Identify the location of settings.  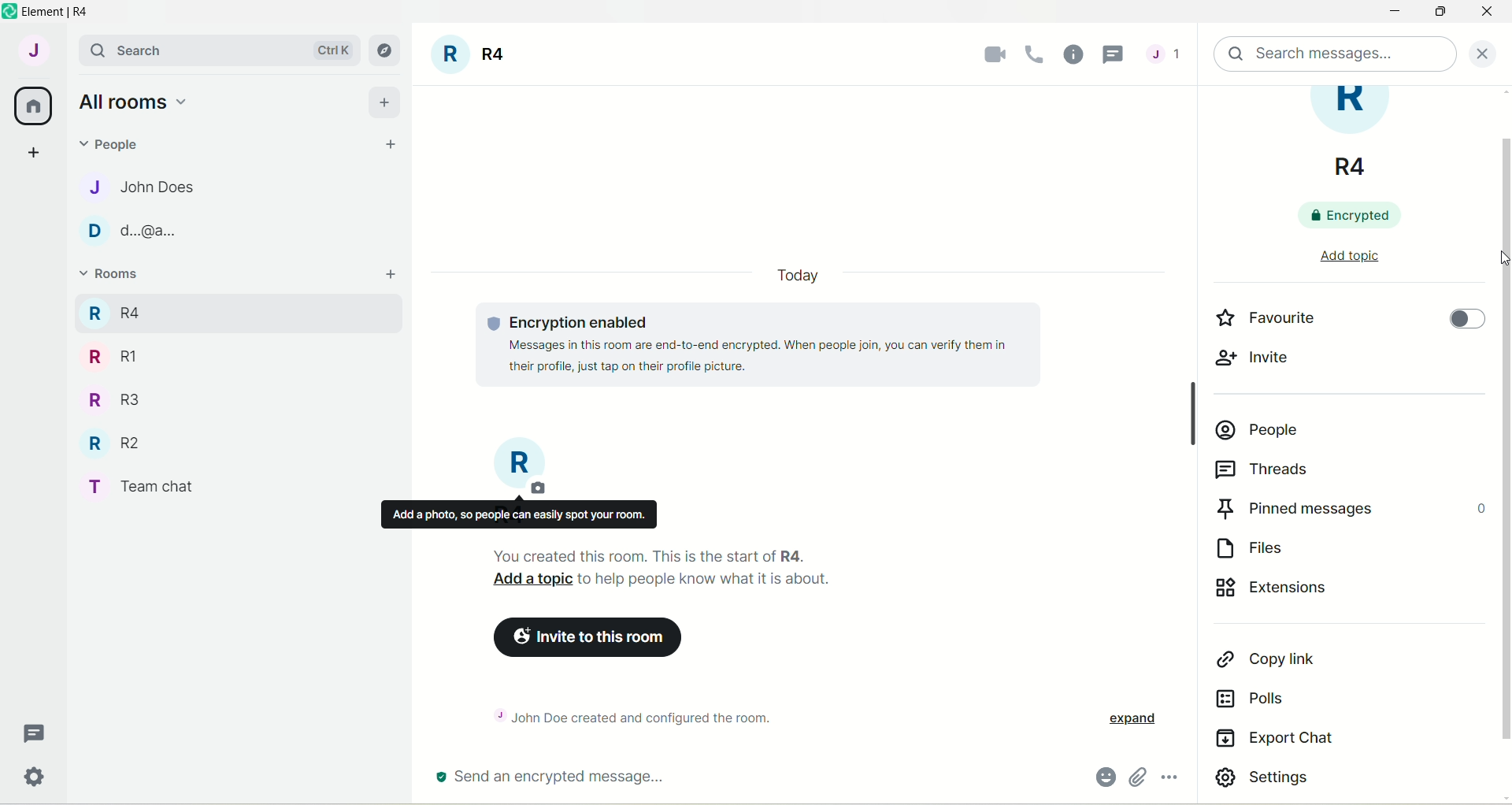
(1273, 779).